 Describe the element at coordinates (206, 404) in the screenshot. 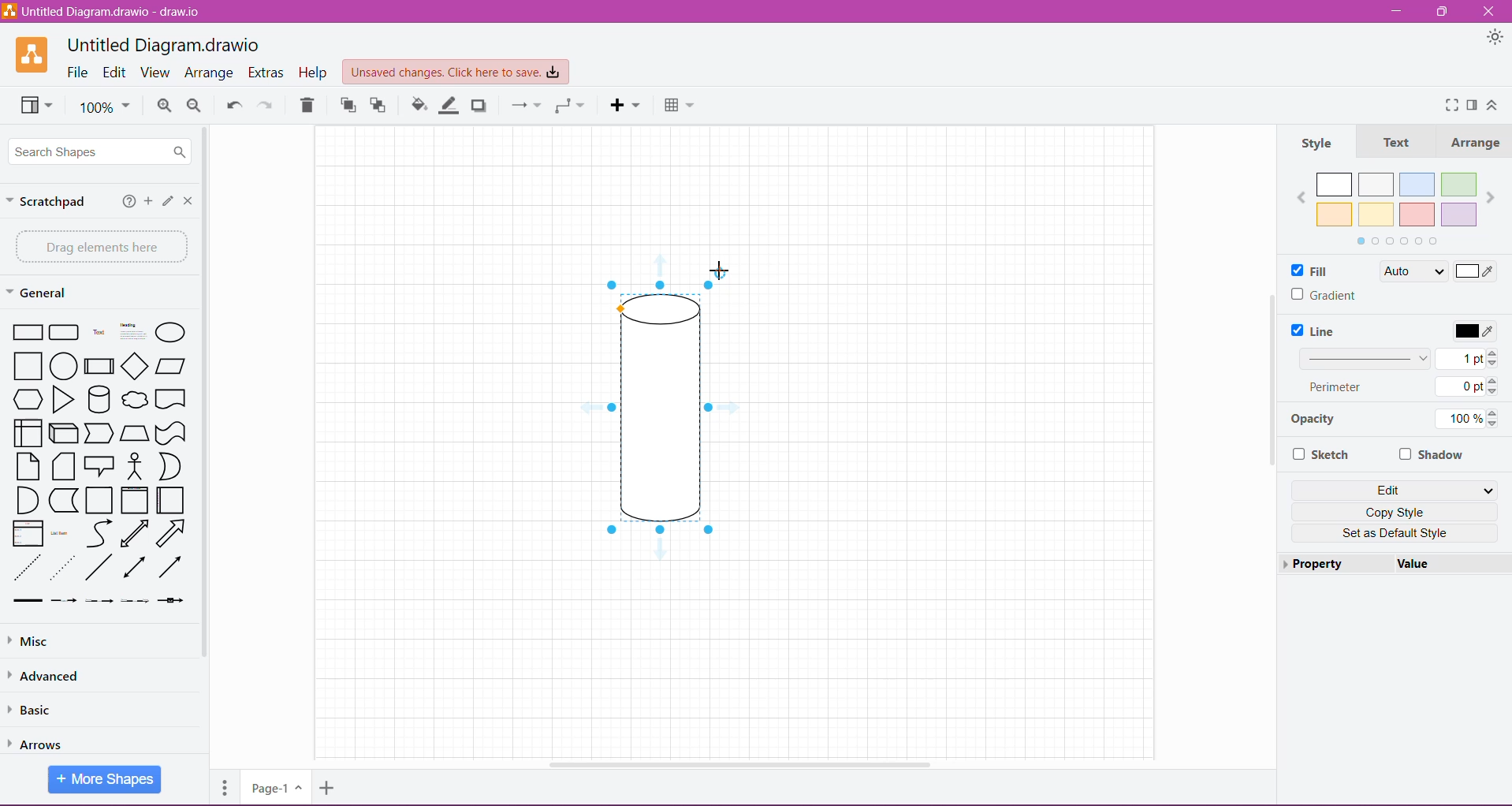

I see `Vertical Scroll Bar` at that location.